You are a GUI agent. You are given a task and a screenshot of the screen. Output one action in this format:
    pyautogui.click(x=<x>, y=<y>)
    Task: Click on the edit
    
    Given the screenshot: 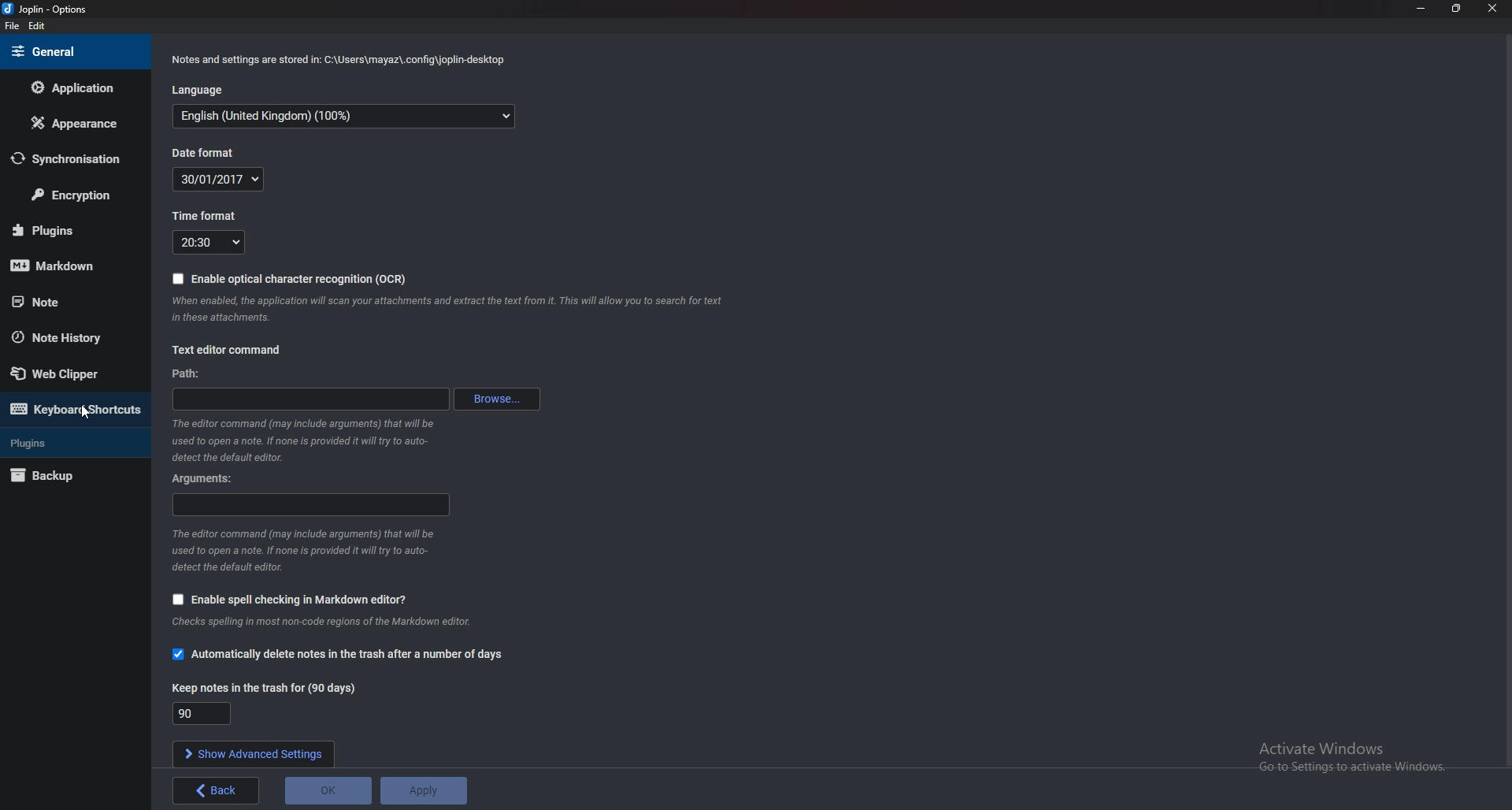 What is the action you would take?
    pyautogui.click(x=36, y=26)
    